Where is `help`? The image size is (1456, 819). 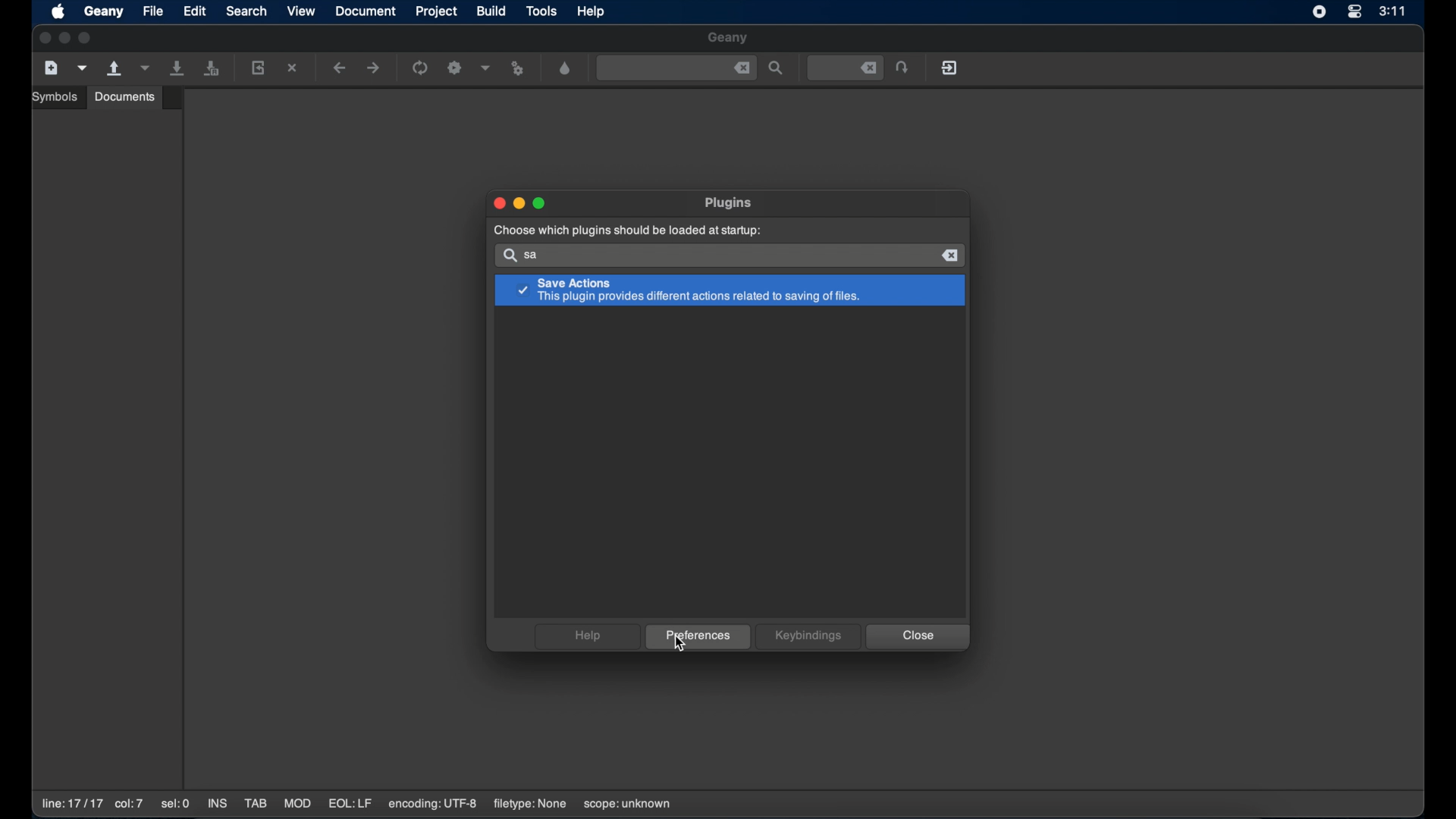 help is located at coordinates (586, 636).